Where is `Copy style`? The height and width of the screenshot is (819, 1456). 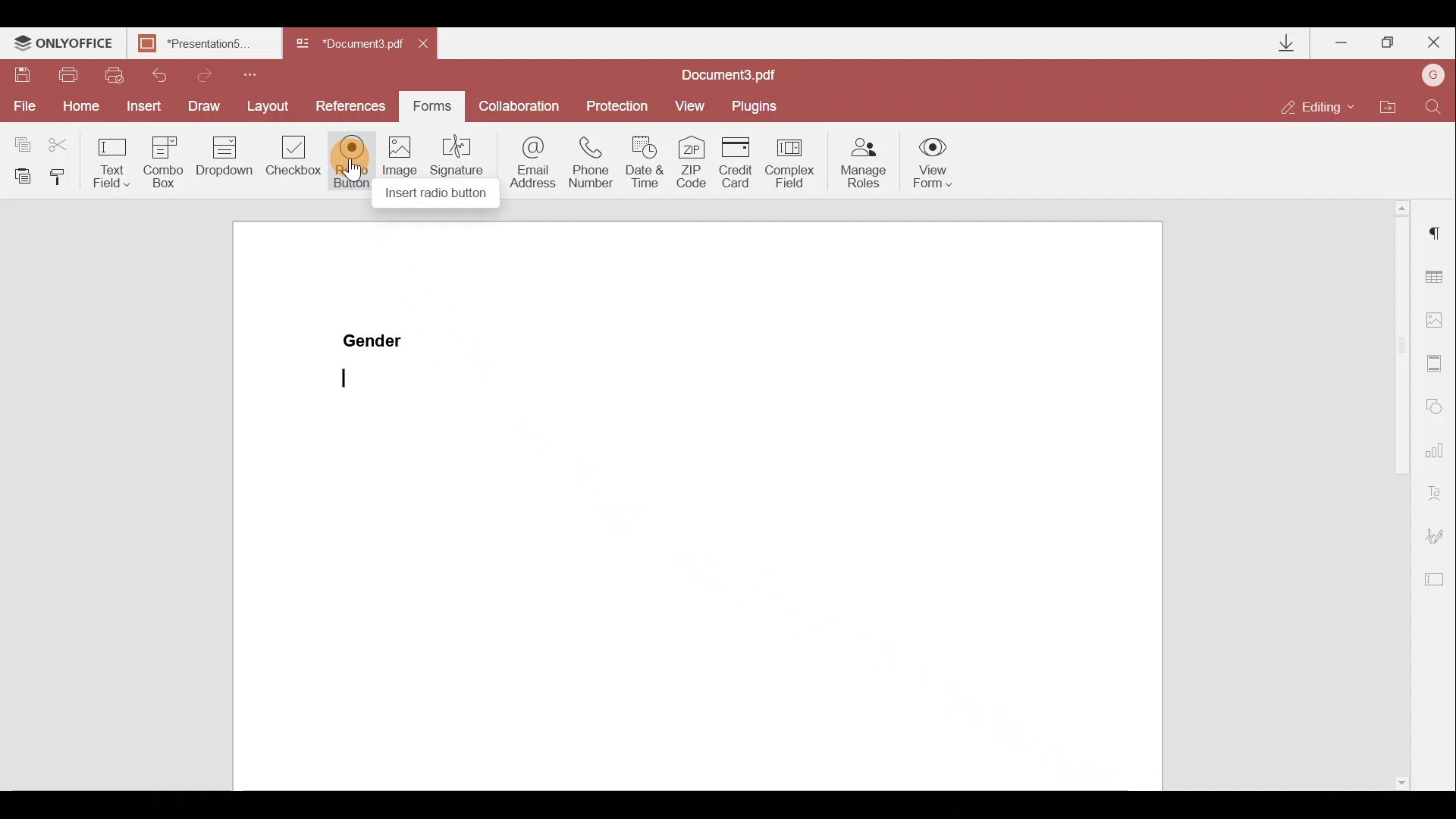
Copy style is located at coordinates (64, 175).